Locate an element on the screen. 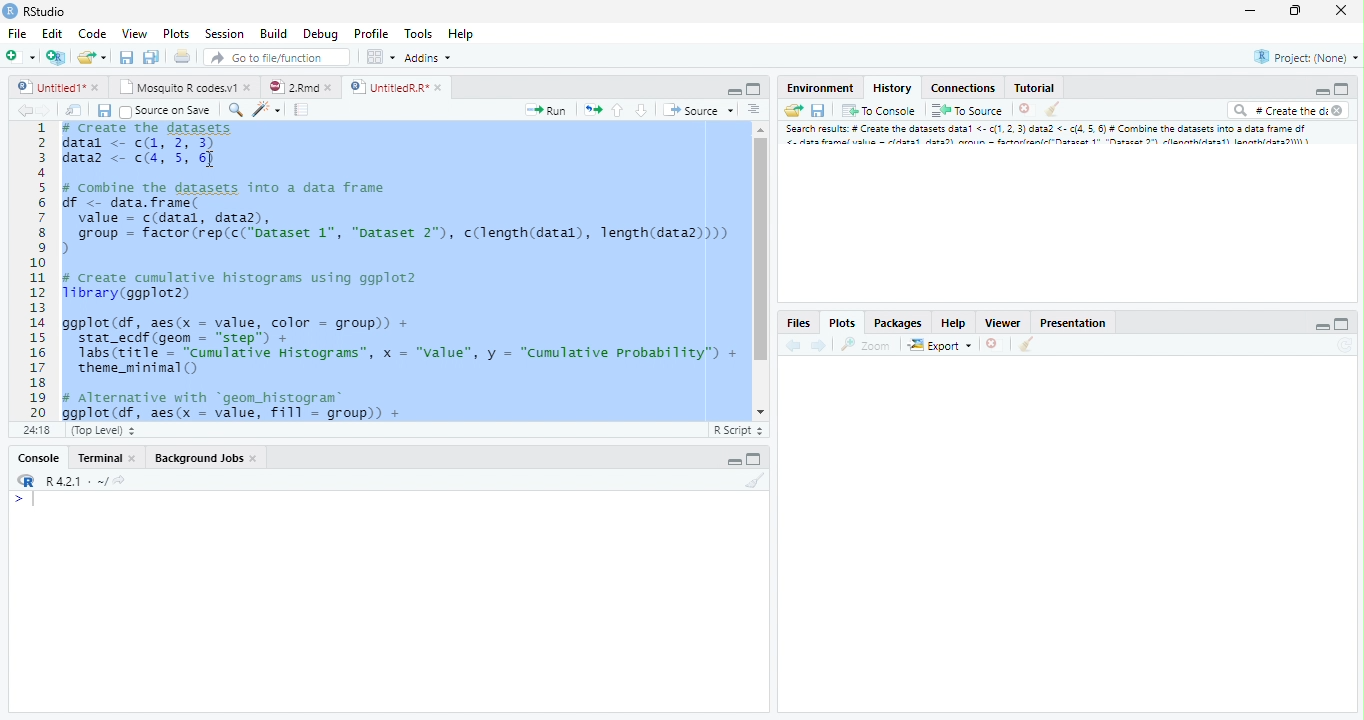 This screenshot has height=720, width=1364. Top level is located at coordinates (105, 428).